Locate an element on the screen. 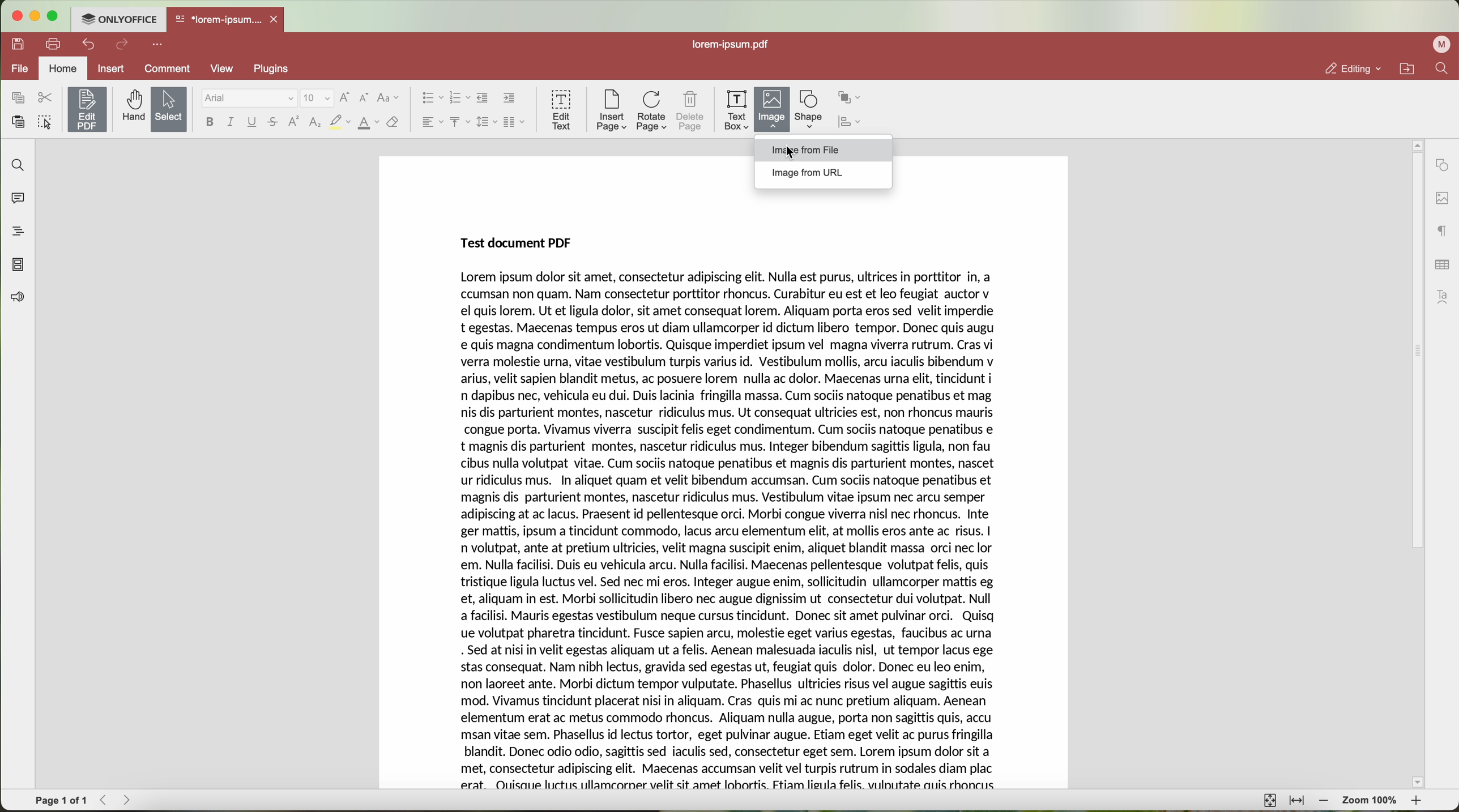 This screenshot has width=1459, height=812. profile is located at coordinates (1444, 44).